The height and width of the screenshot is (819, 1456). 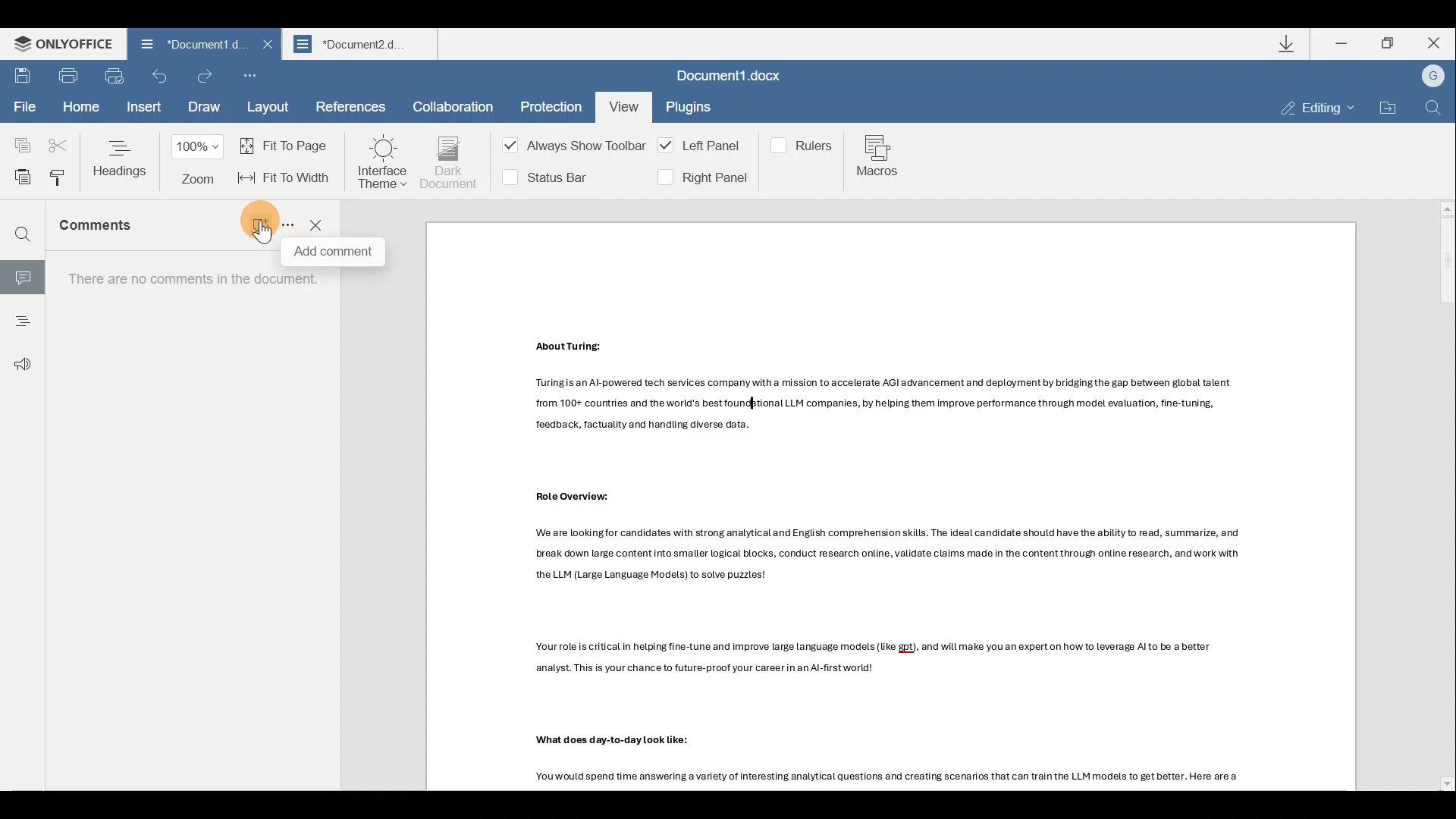 I want to click on Copy style, so click(x=58, y=177).